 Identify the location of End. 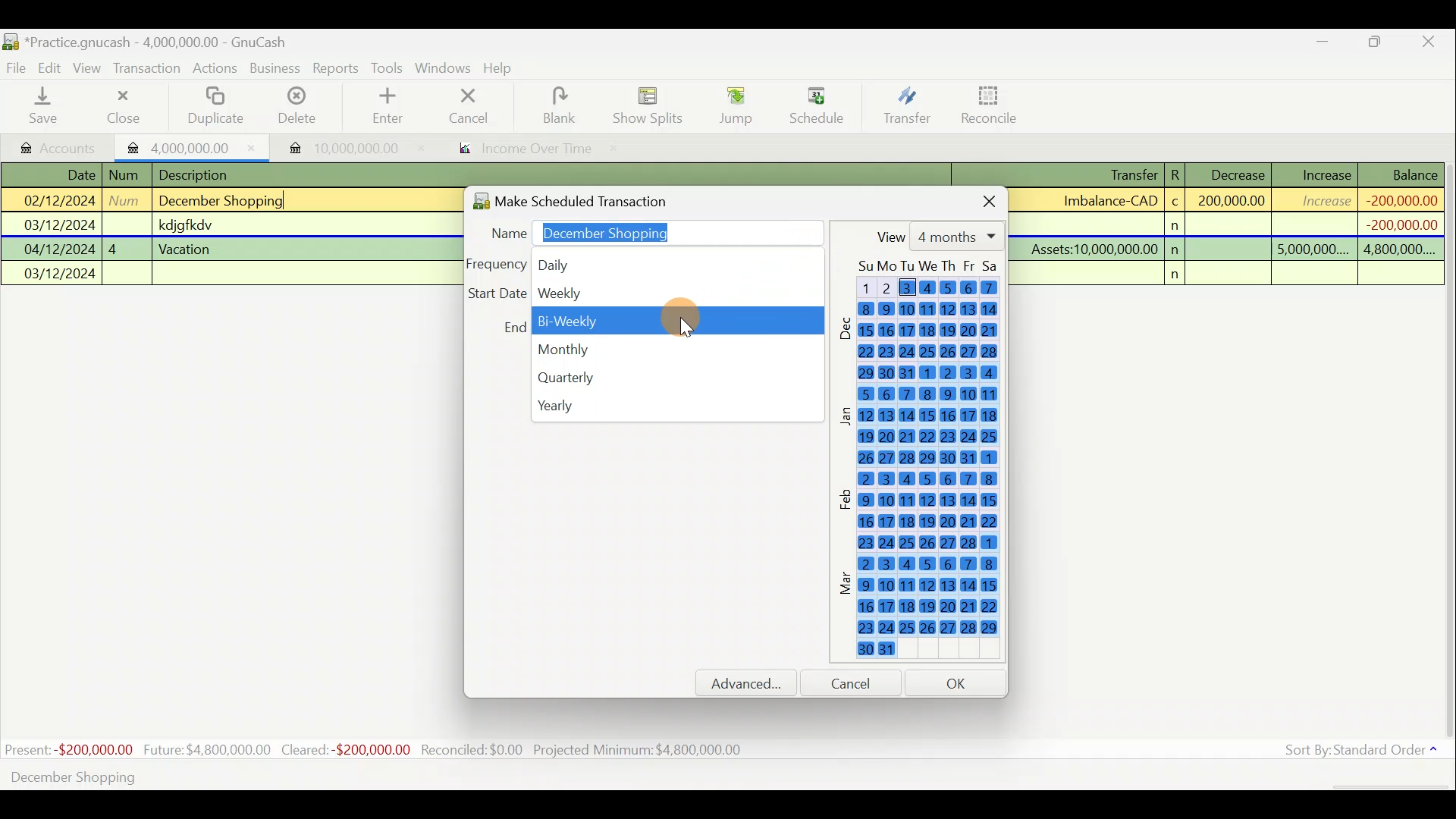
(513, 327).